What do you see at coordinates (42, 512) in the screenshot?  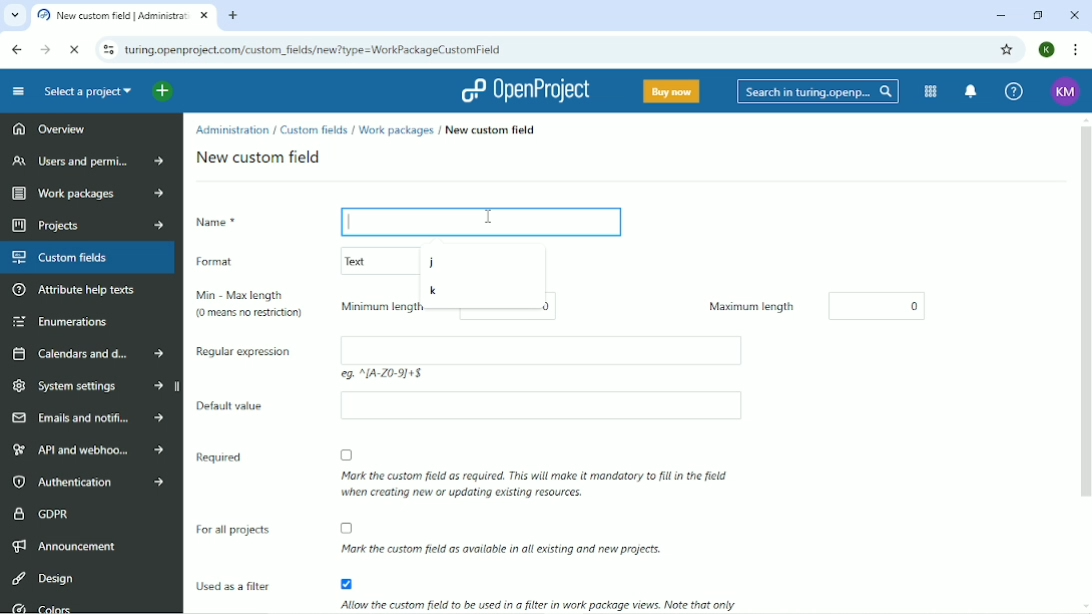 I see `GDPR` at bounding box center [42, 512].